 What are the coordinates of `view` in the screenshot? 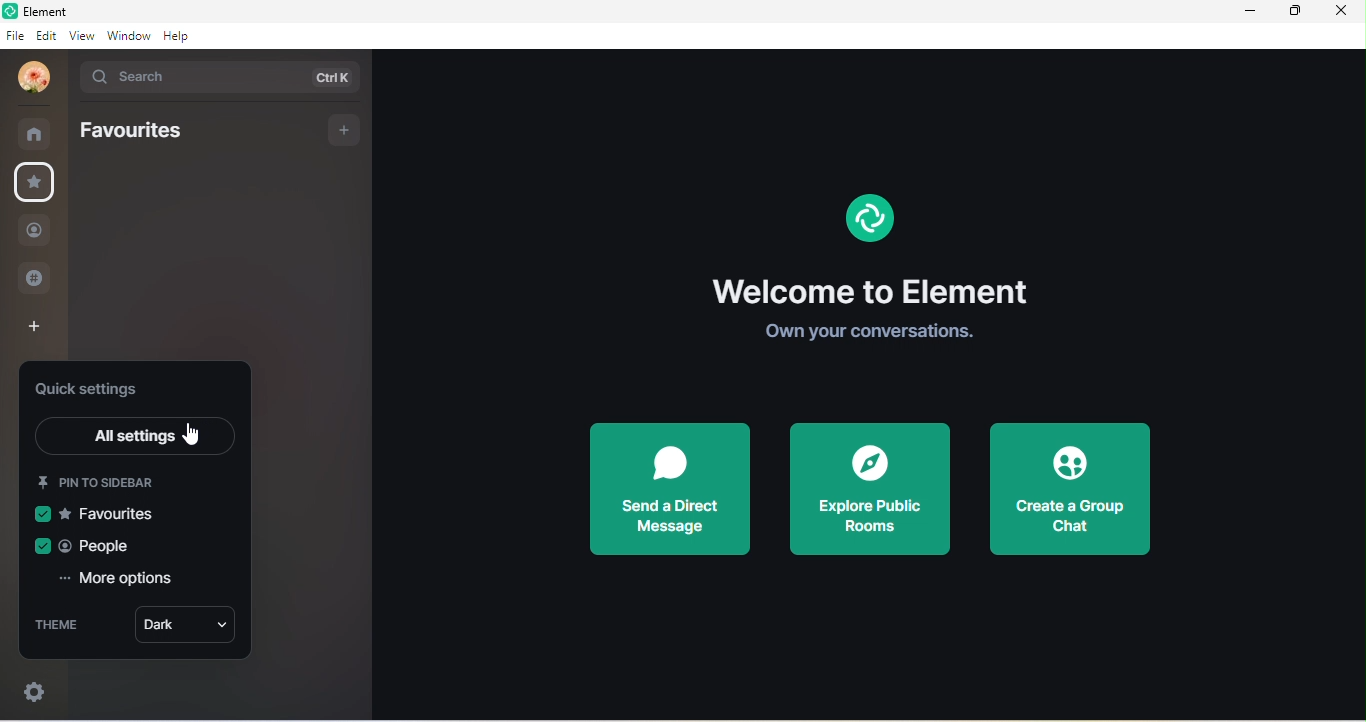 It's located at (80, 38).